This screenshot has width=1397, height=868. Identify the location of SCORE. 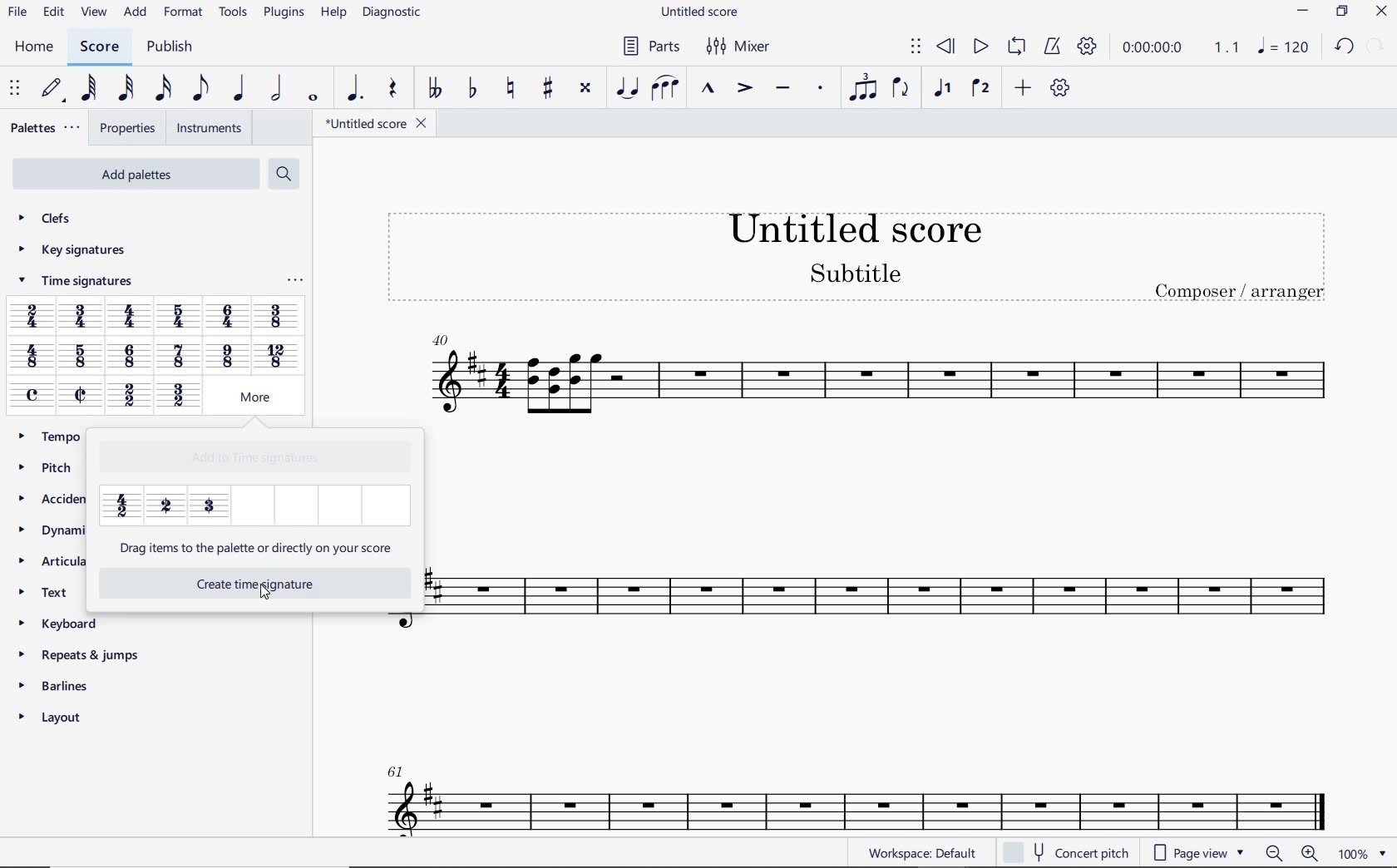
(99, 47).